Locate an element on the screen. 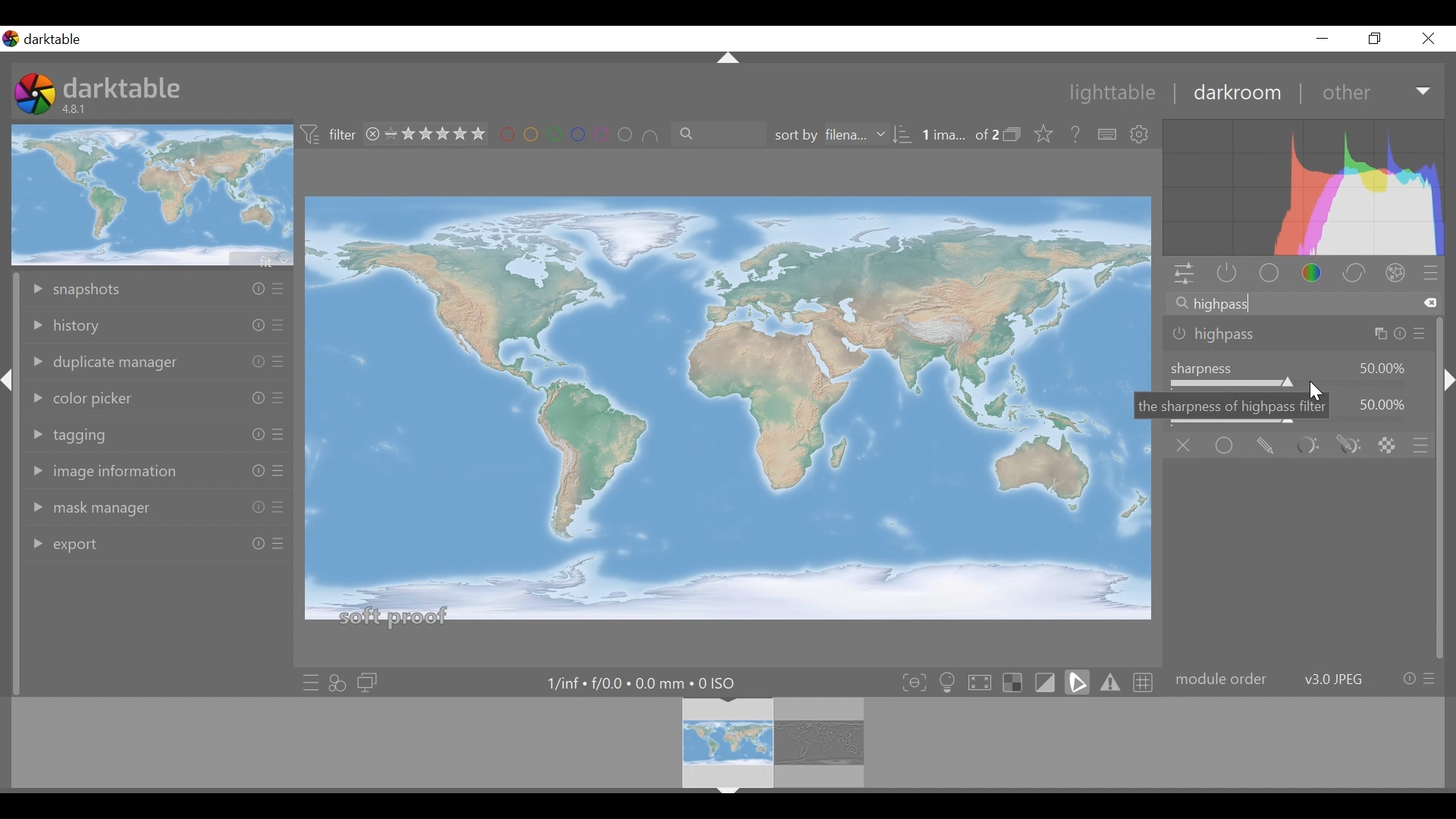  Search icon is located at coordinates (1181, 303).